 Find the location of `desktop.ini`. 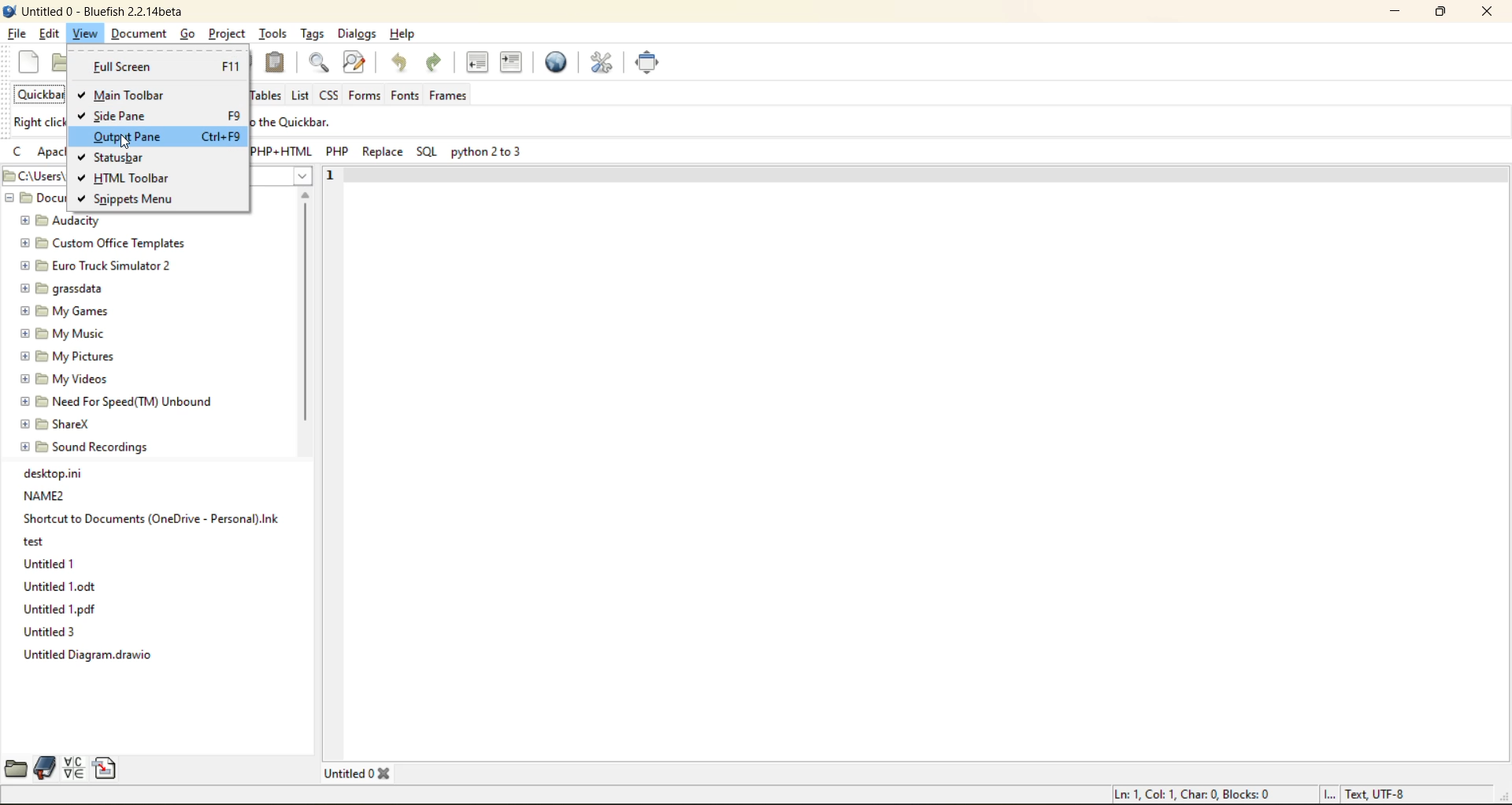

desktop.ini is located at coordinates (51, 474).